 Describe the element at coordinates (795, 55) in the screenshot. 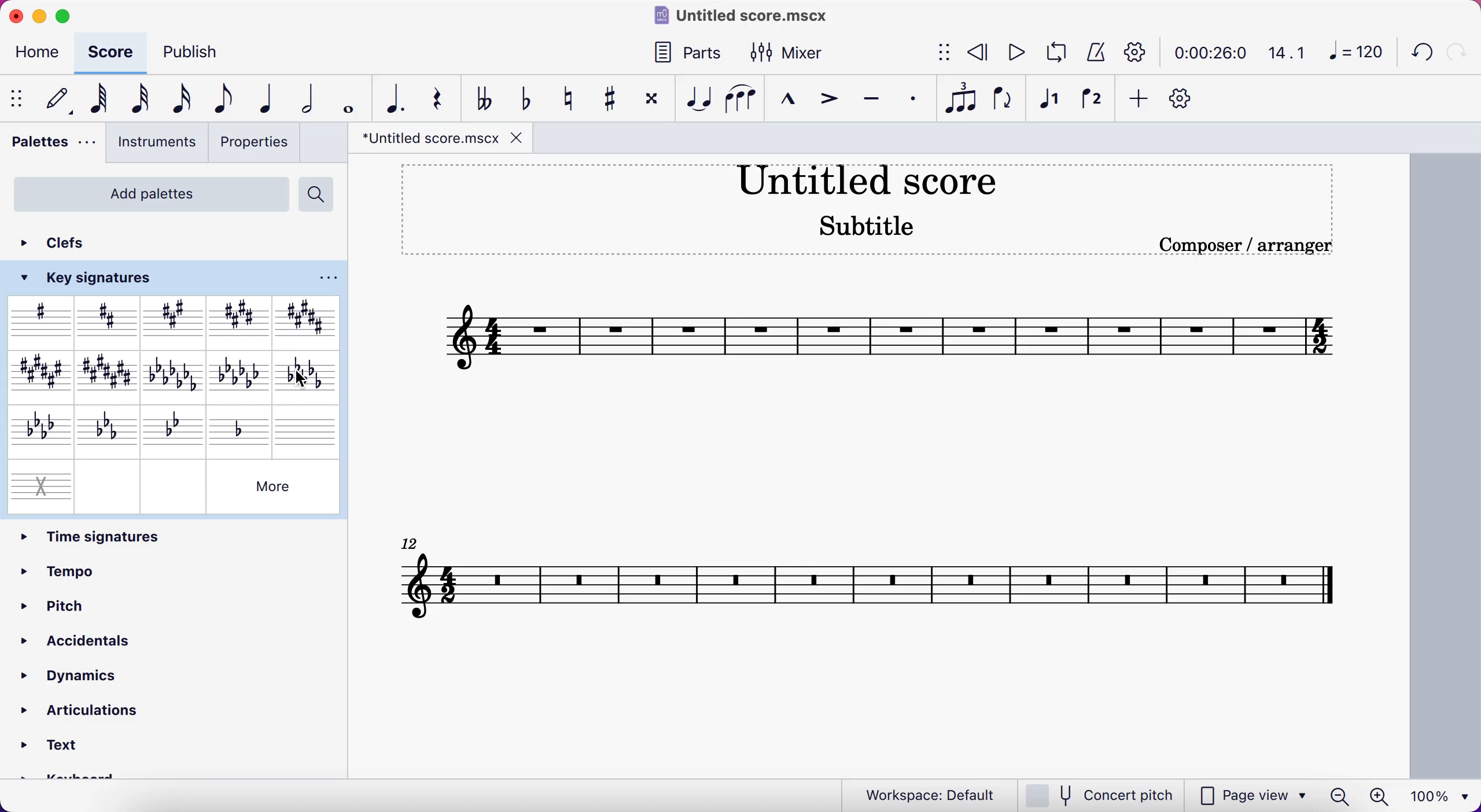

I see `mixer` at that location.